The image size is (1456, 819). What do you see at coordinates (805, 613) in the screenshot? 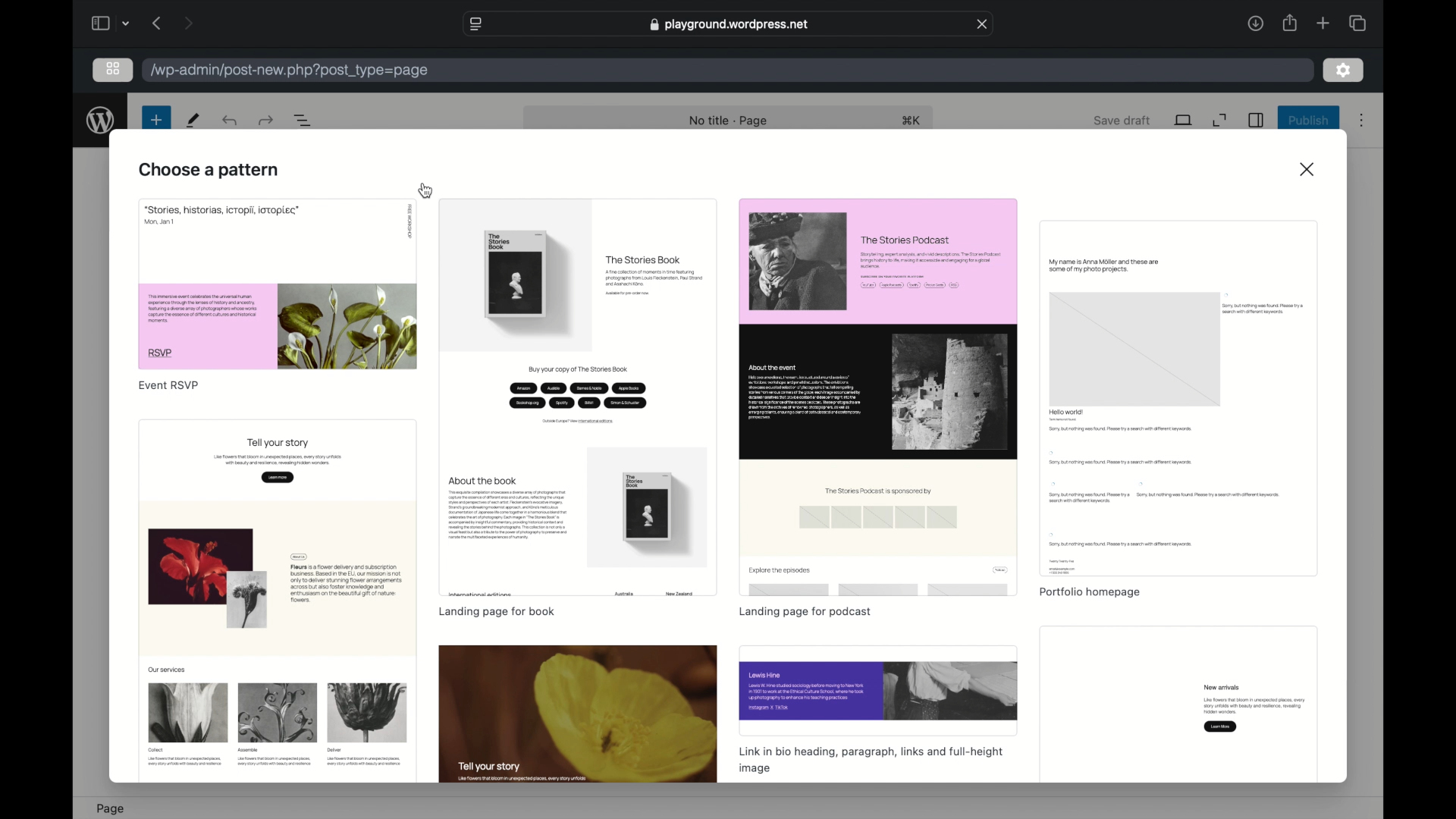
I see `landing page for podcast` at bounding box center [805, 613].